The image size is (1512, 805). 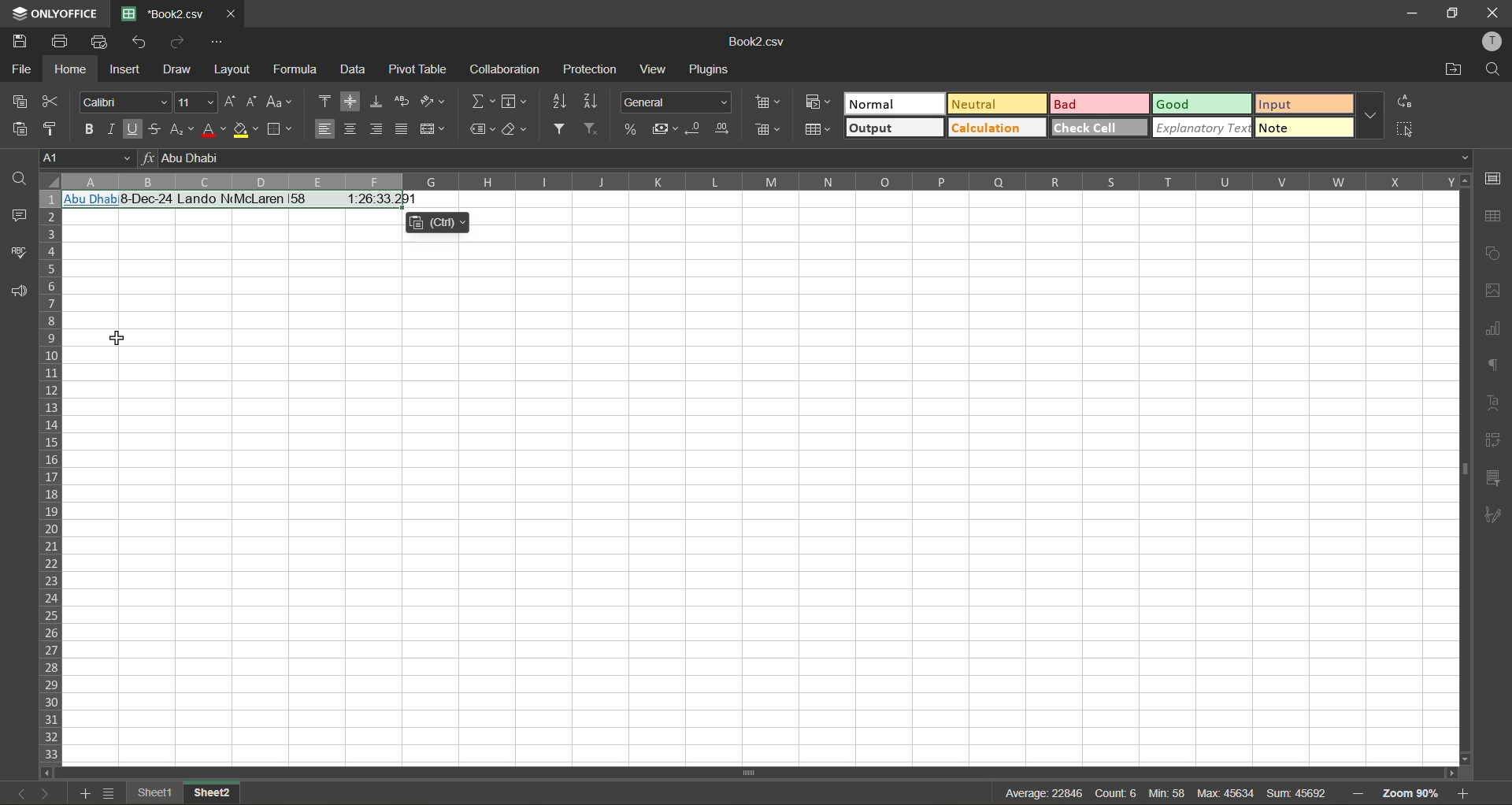 I want to click on number format, so click(x=680, y=100).